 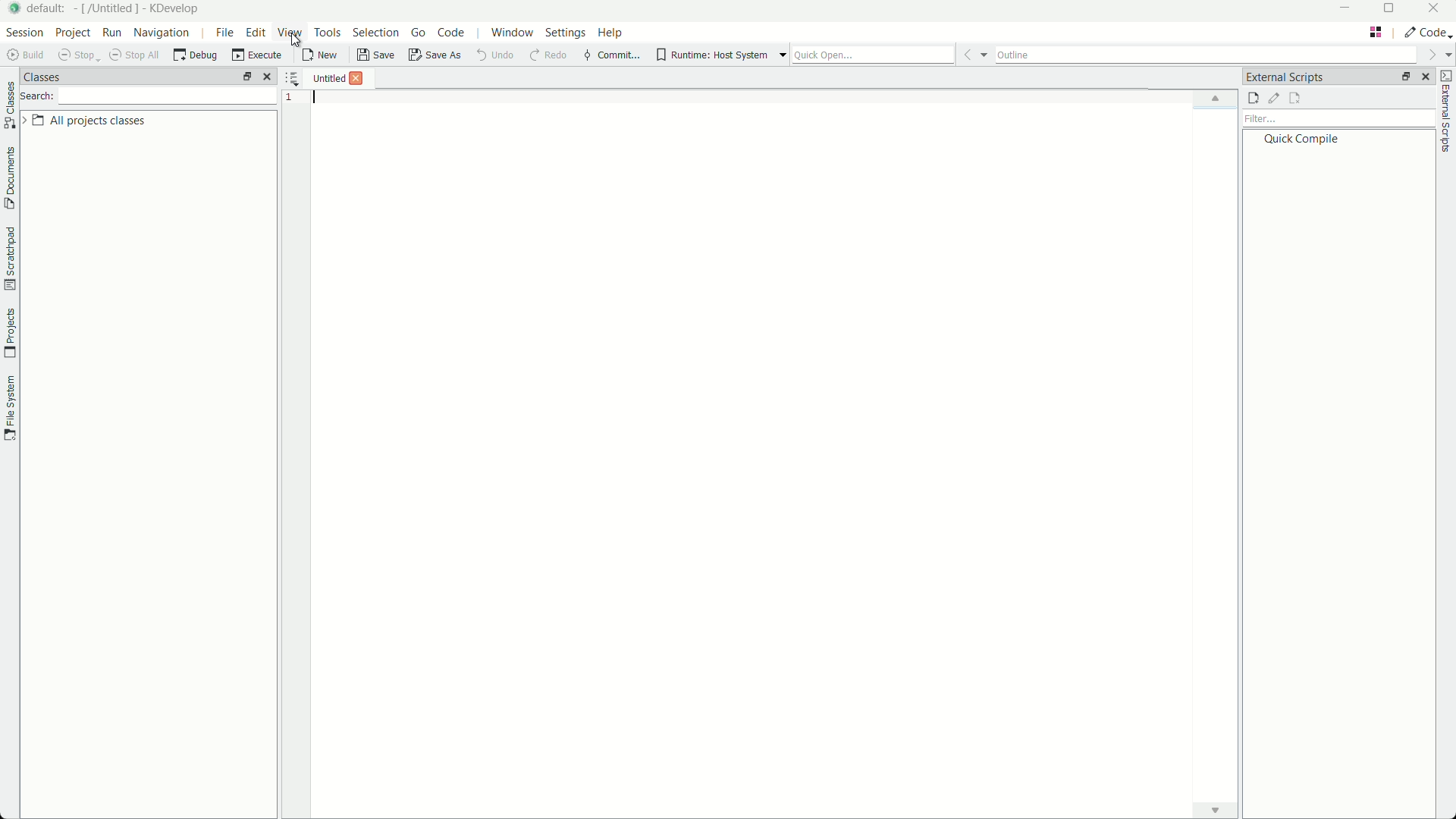 I want to click on all project classes, so click(x=87, y=120).